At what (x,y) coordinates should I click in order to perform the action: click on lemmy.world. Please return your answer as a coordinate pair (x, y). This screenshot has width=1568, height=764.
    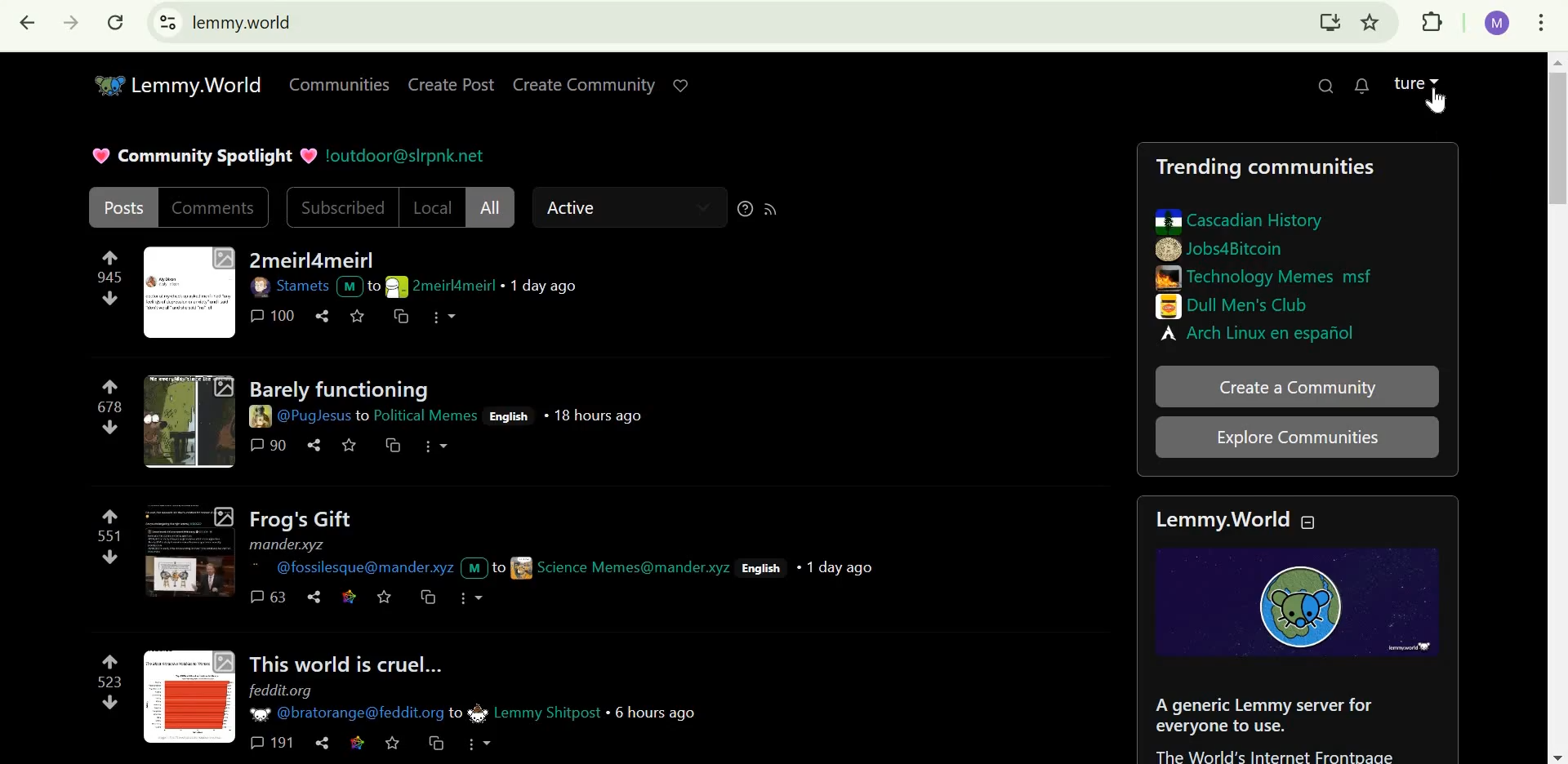
    Looking at the image, I should click on (242, 21).